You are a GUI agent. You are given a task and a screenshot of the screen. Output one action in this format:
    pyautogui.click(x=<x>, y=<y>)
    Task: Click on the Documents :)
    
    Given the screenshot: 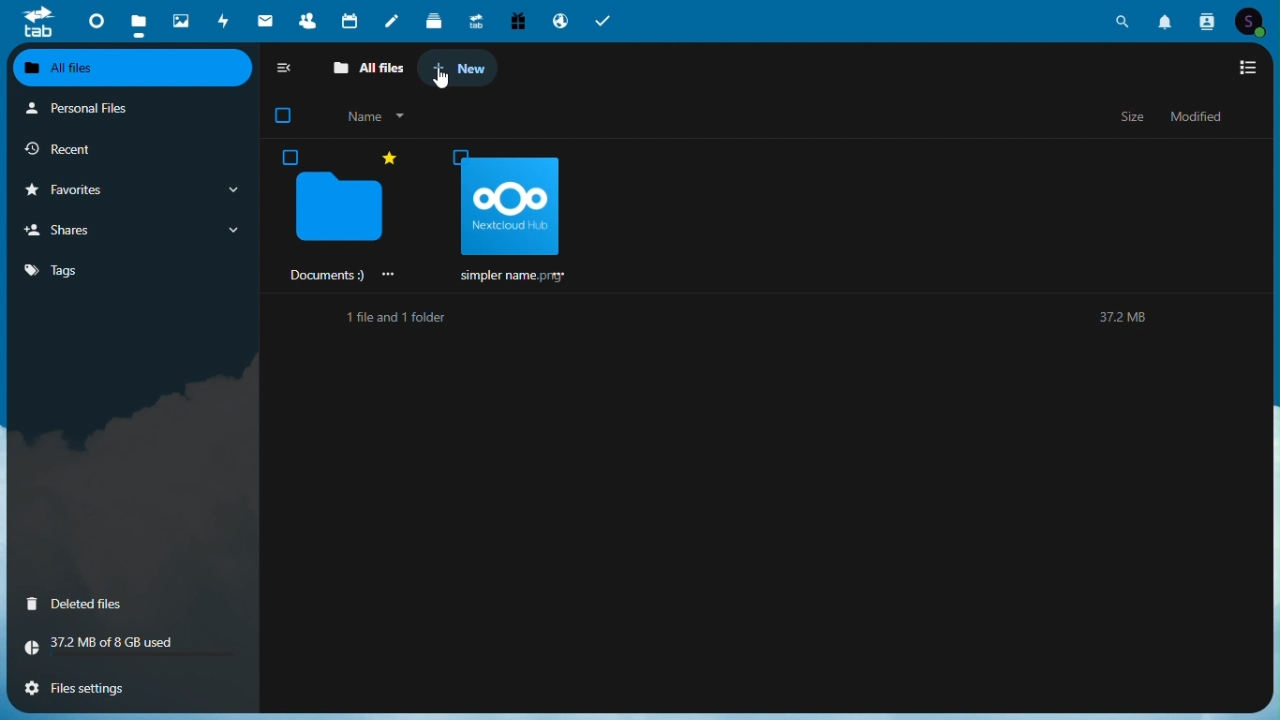 What is the action you would take?
    pyautogui.click(x=344, y=214)
    